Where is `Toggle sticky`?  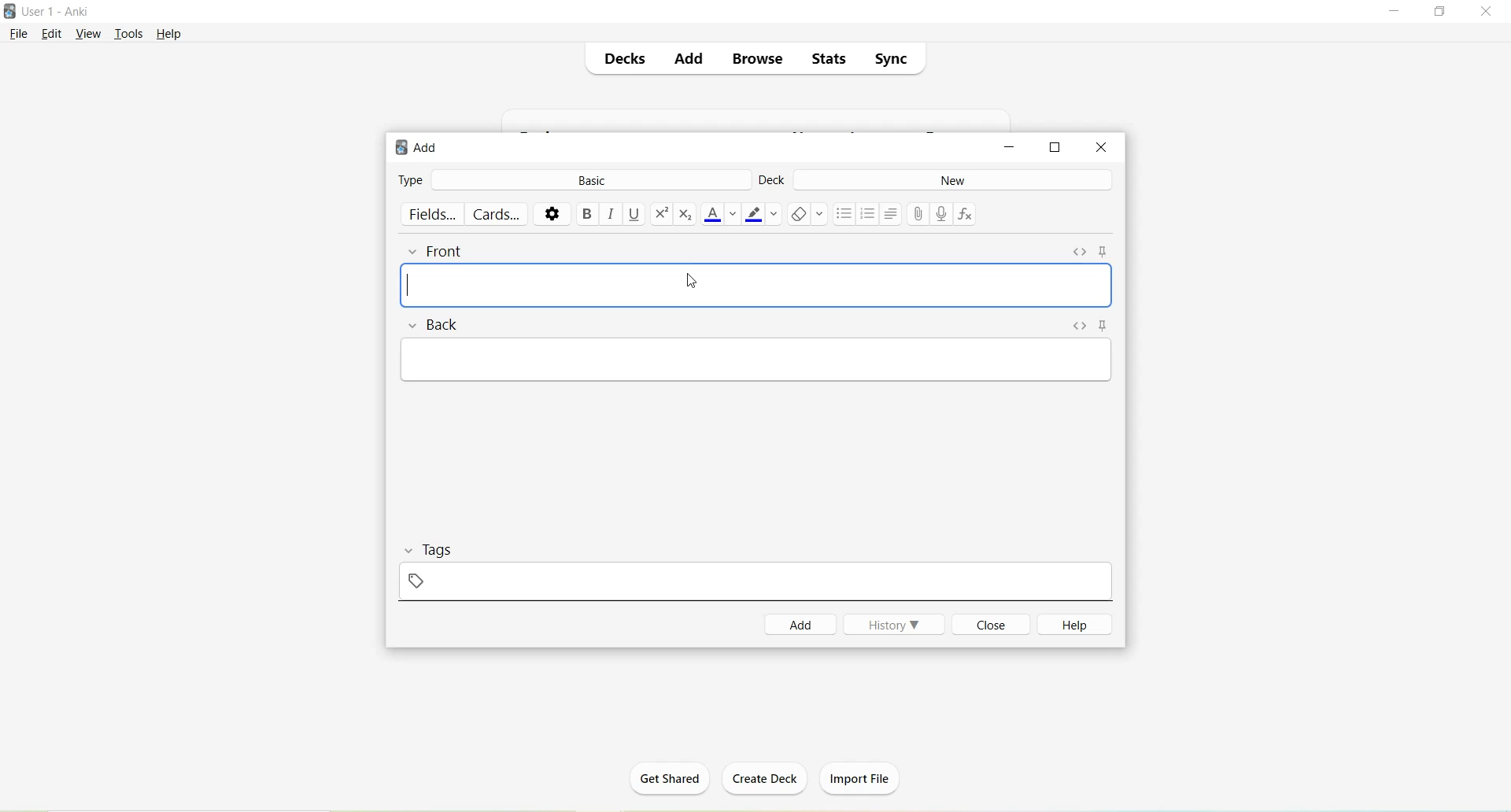 Toggle sticky is located at coordinates (1106, 252).